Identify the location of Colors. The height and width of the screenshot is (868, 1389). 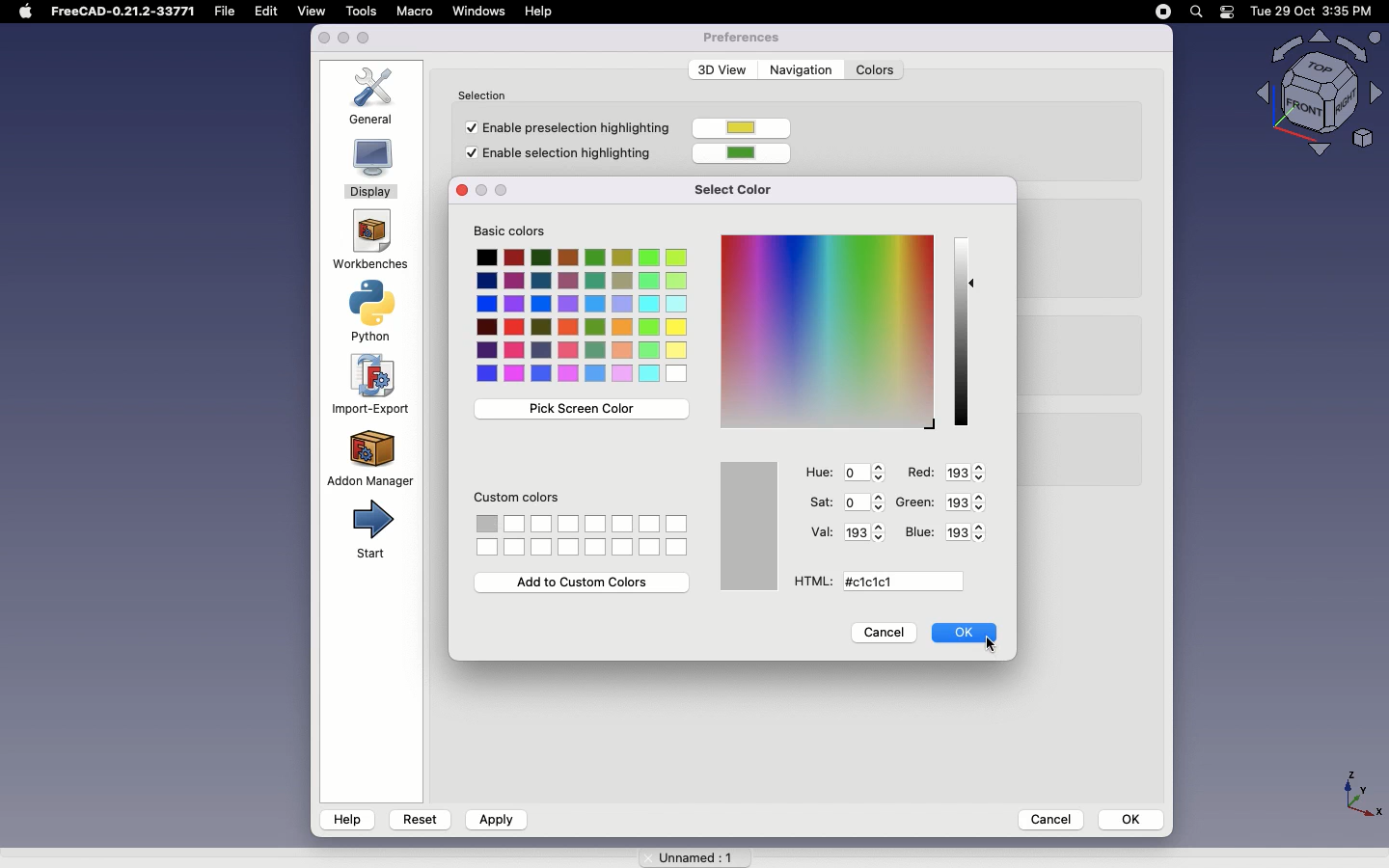
(875, 70).